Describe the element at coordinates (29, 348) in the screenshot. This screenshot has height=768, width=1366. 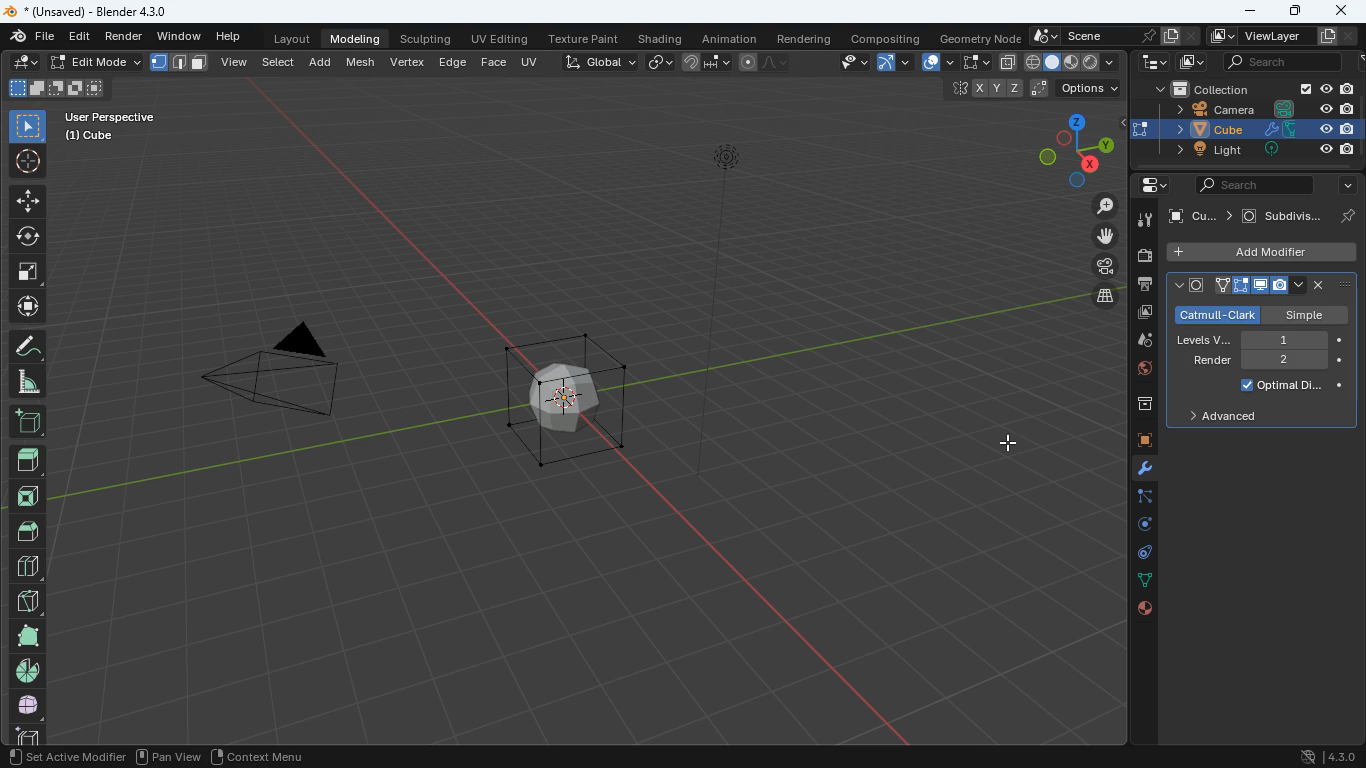
I see `draw` at that location.